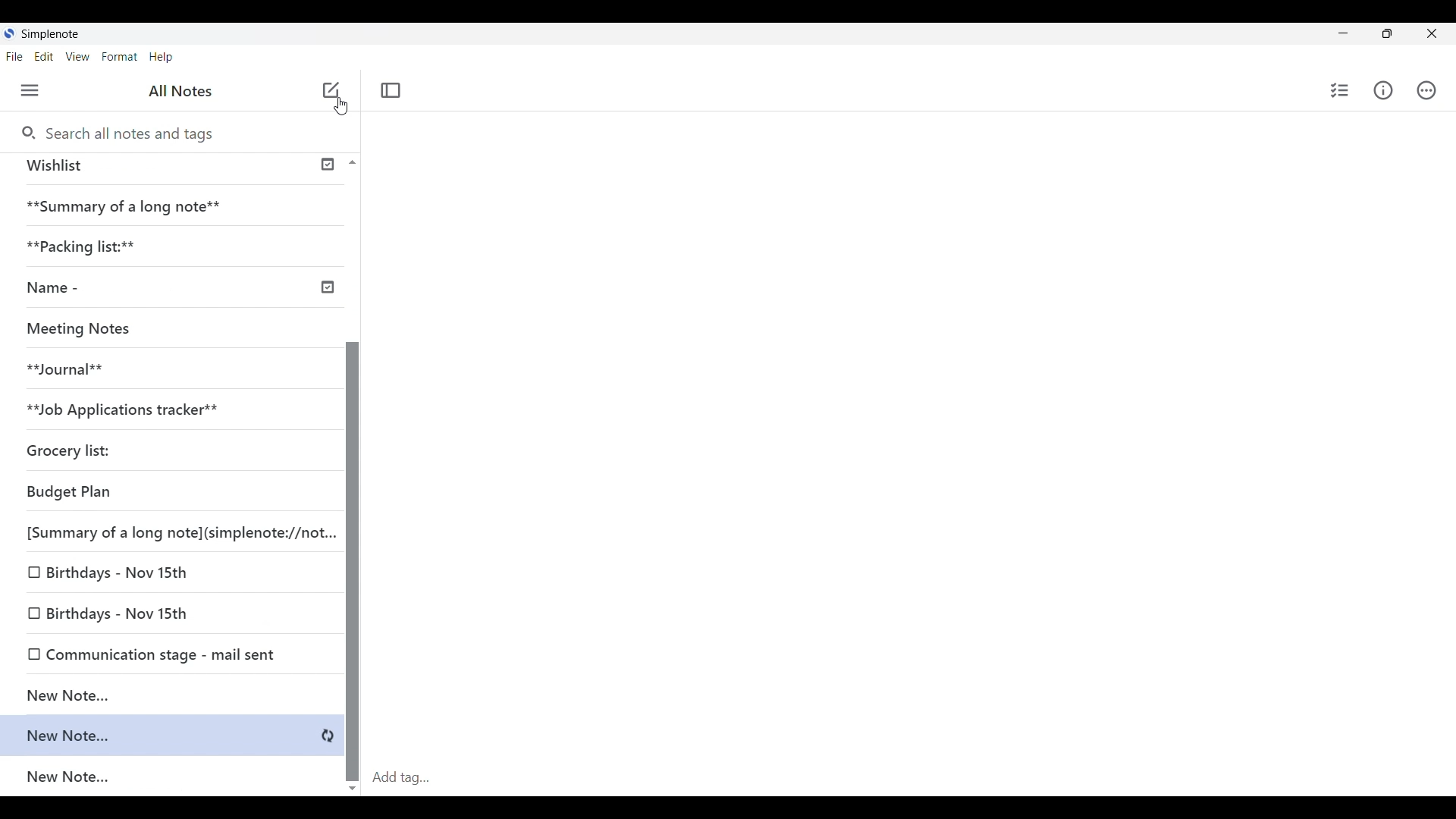 This screenshot has height=819, width=1456. What do you see at coordinates (166, 735) in the screenshot?
I see `New note` at bounding box center [166, 735].